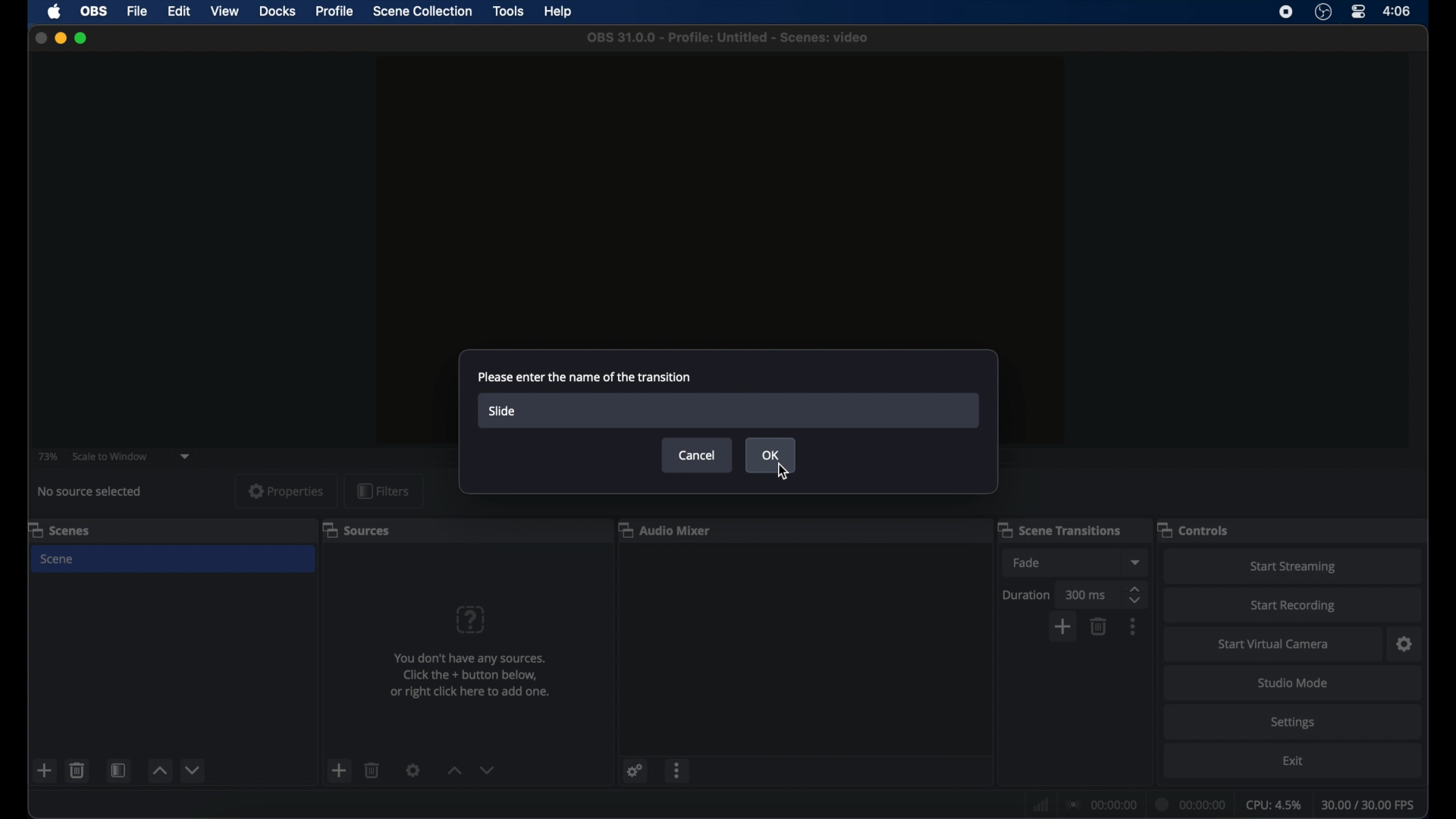  What do you see at coordinates (488, 770) in the screenshot?
I see `decrement` at bounding box center [488, 770].